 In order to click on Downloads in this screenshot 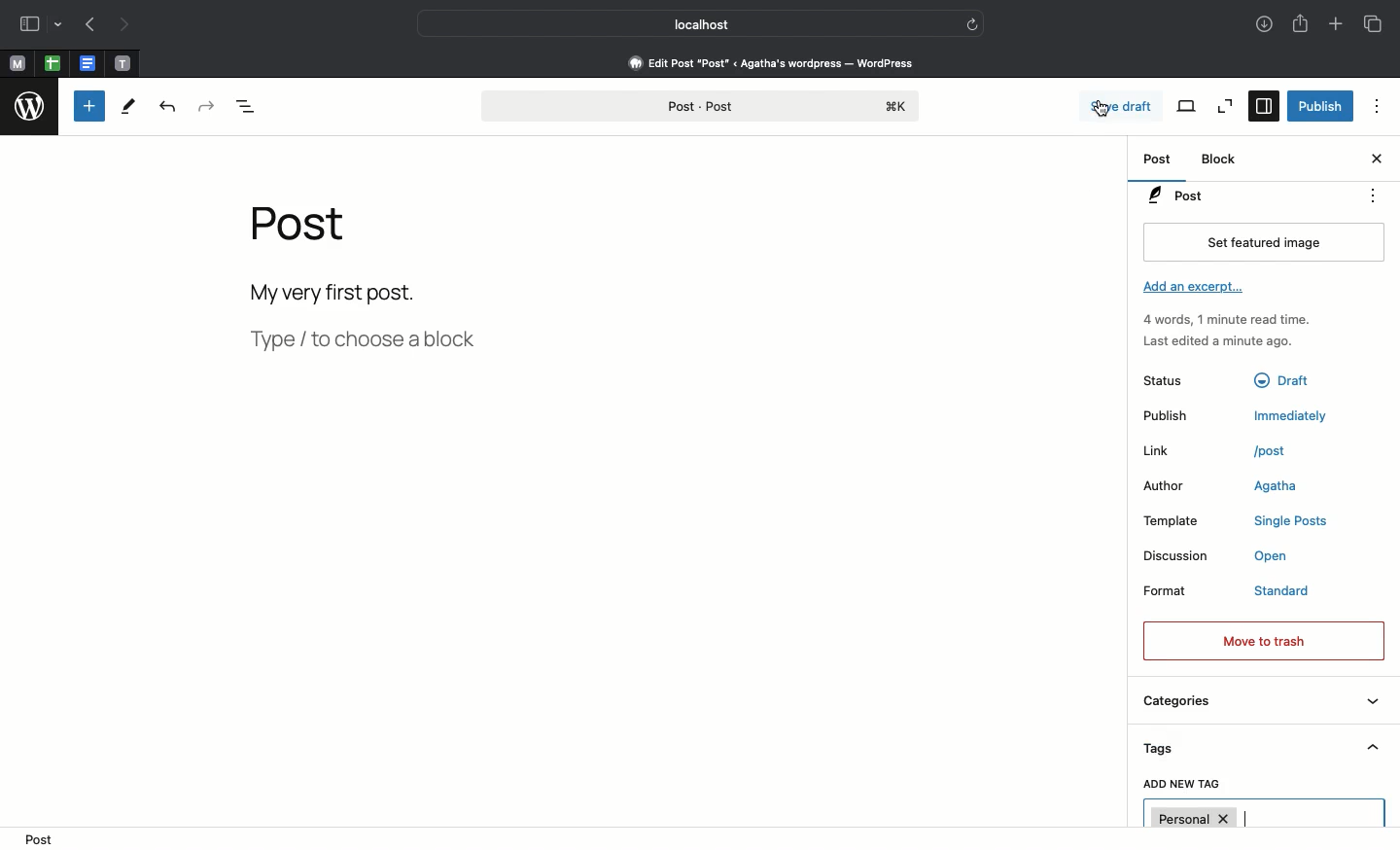, I will do `click(1261, 22)`.